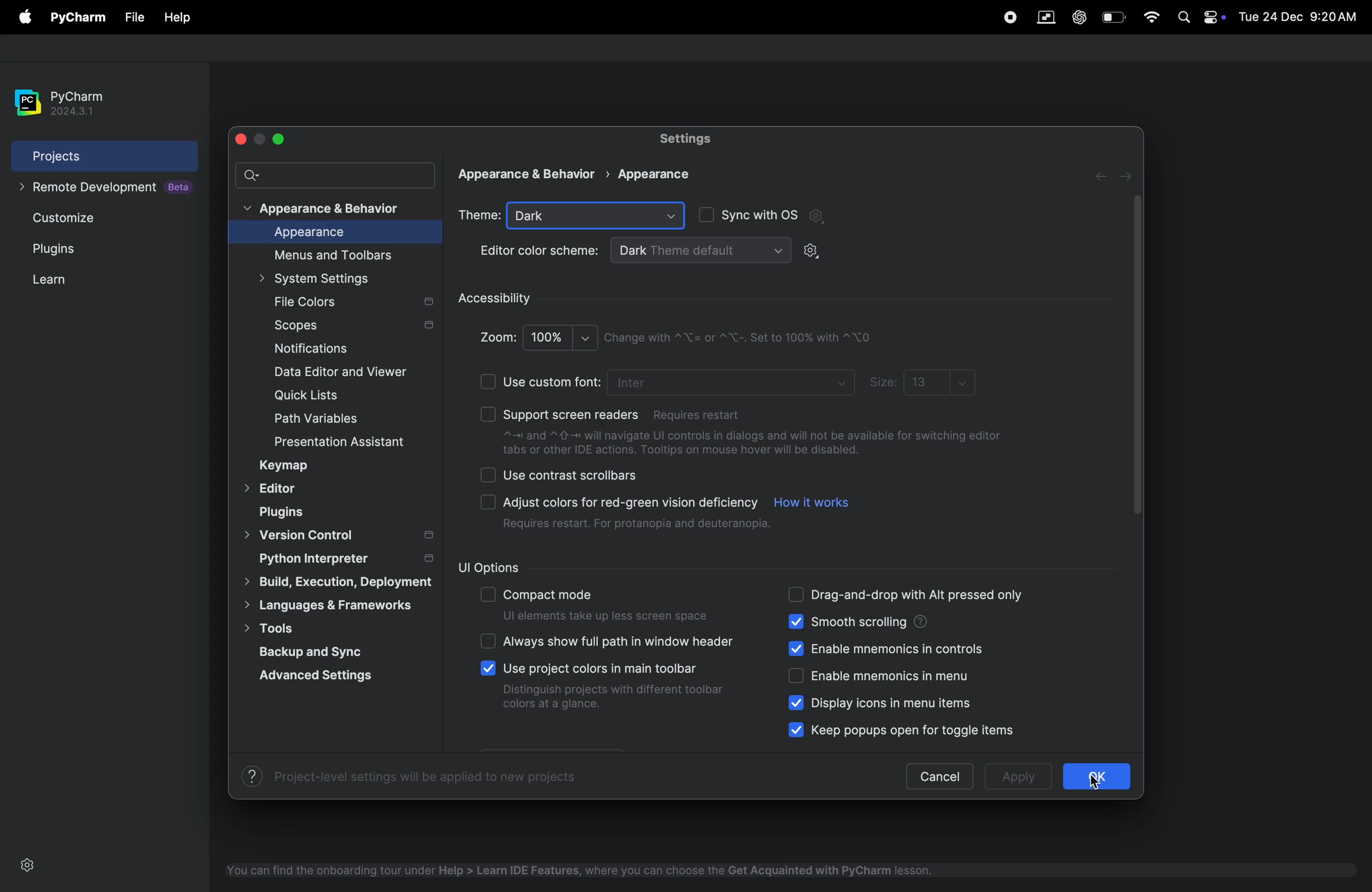 The height and width of the screenshot is (892, 1372). Describe the element at coordinates (691, 139) in the screenshot. I see `settings` at that location.